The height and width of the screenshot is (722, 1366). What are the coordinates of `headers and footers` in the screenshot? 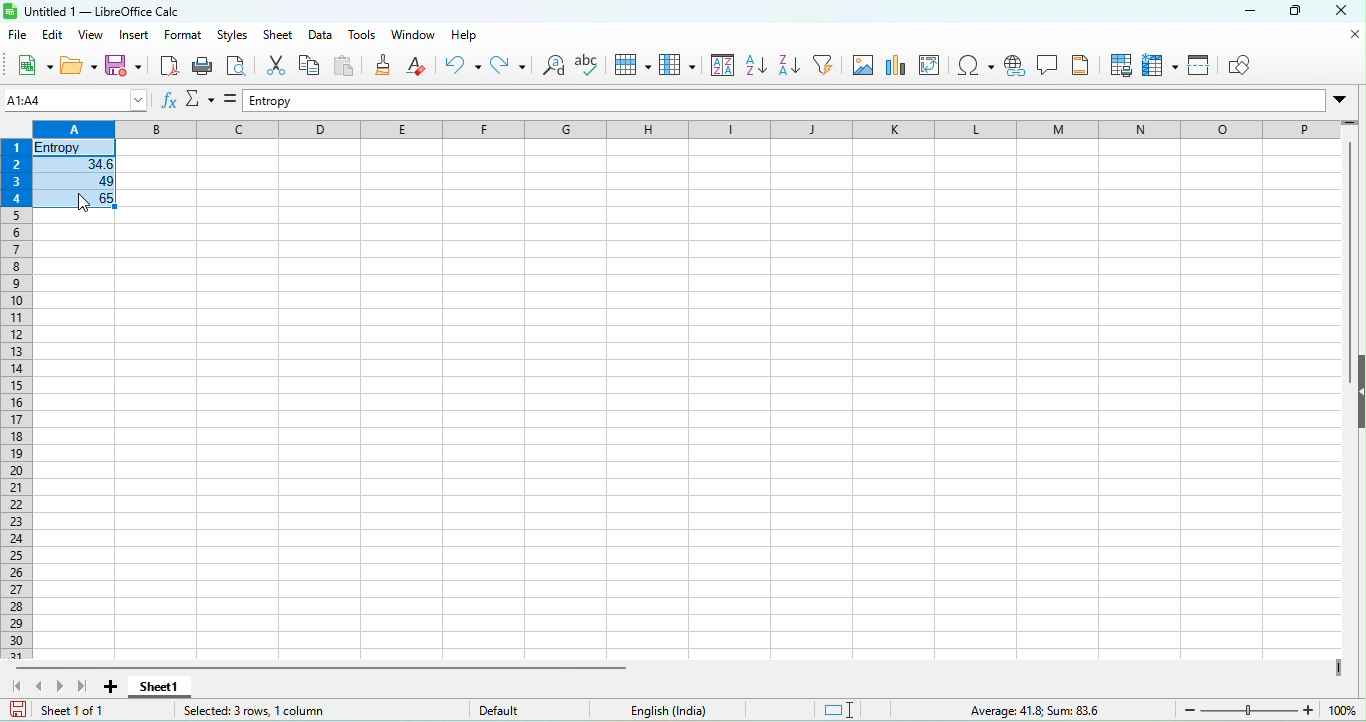 It's located at (1086, 67).